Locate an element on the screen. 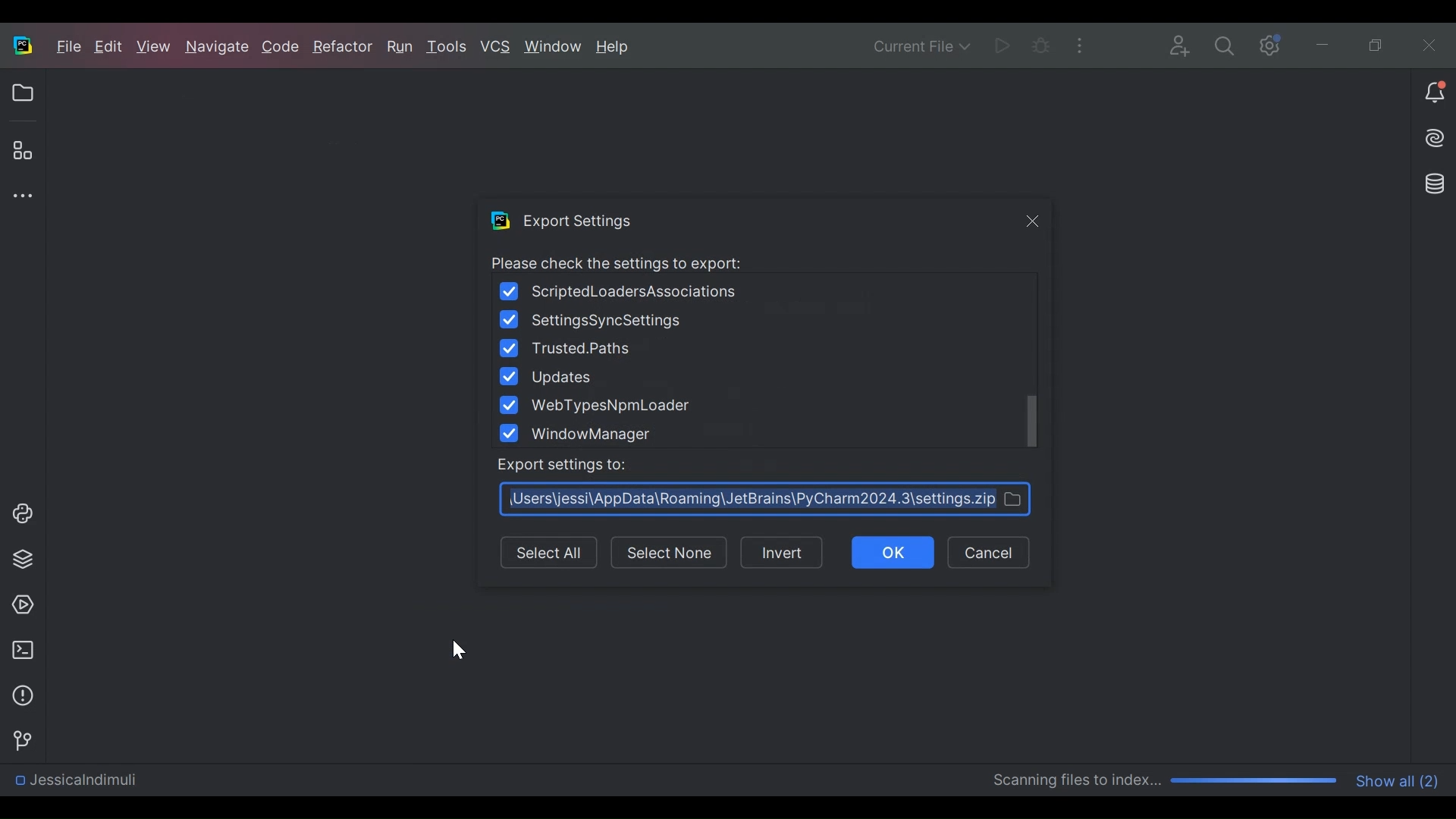 The image size is (1456, 819). Close is located at coordinates (1033, 222).